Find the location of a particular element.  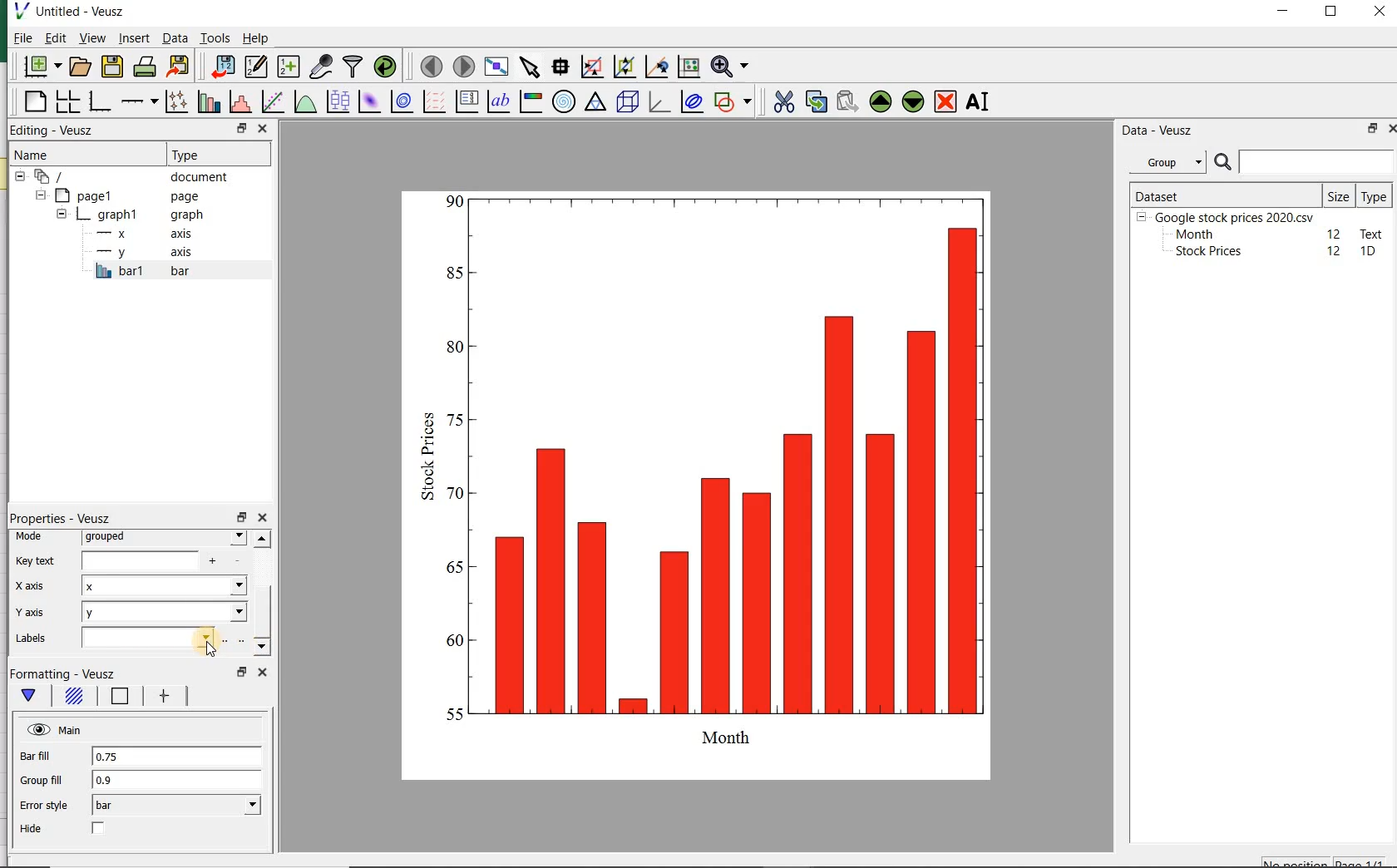

restore is located at coordinates (240, 518).